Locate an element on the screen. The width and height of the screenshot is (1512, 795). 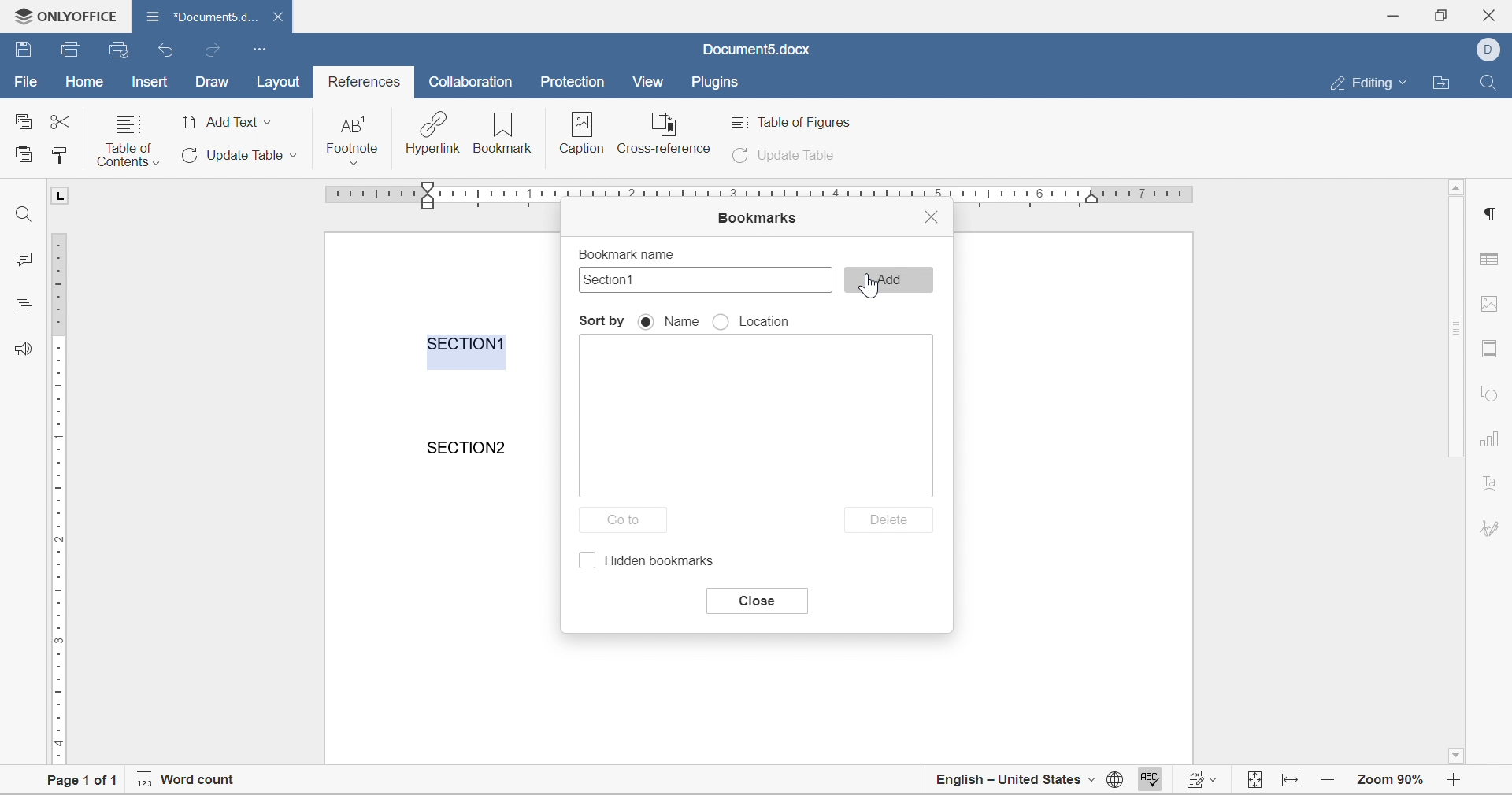
track changes is located at coordinates (1205, 782).